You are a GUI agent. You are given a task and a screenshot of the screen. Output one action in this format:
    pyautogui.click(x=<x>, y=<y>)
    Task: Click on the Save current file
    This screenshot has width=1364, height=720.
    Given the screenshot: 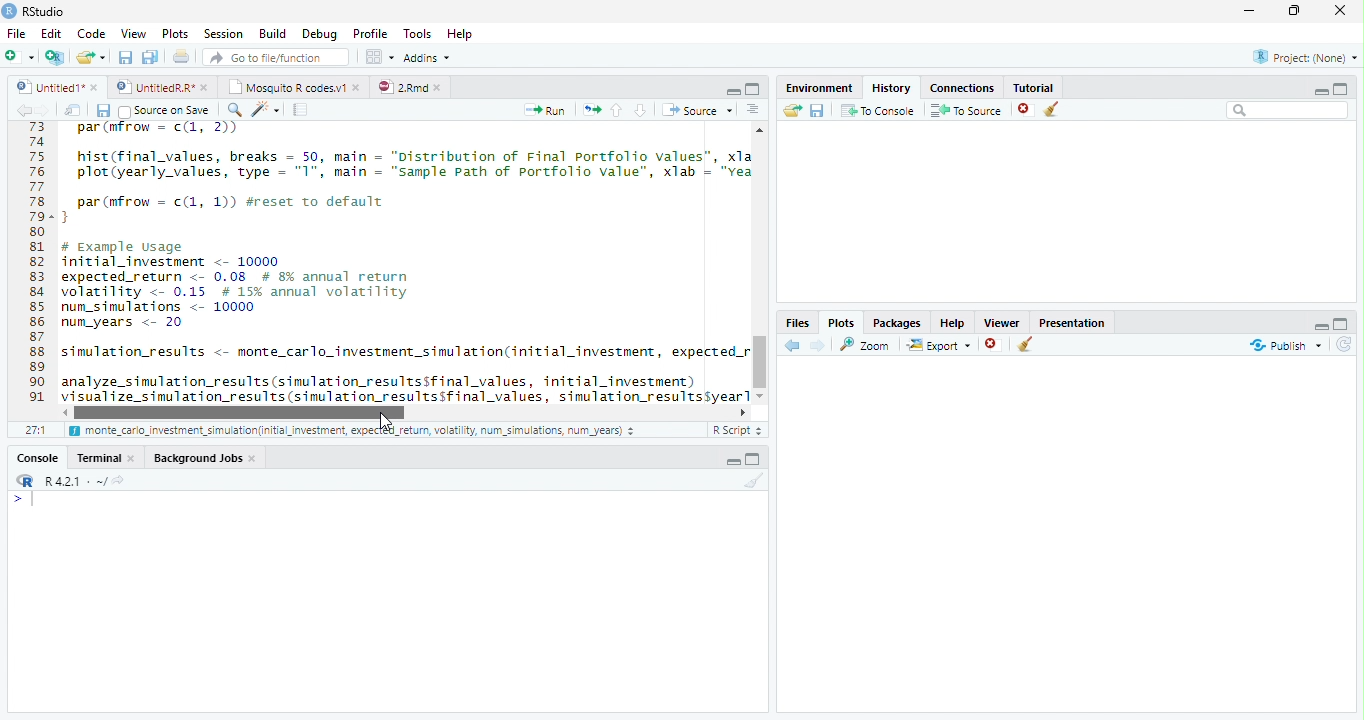 What is the action you would take?
    pyautogui.click(x=124, y=57)
    